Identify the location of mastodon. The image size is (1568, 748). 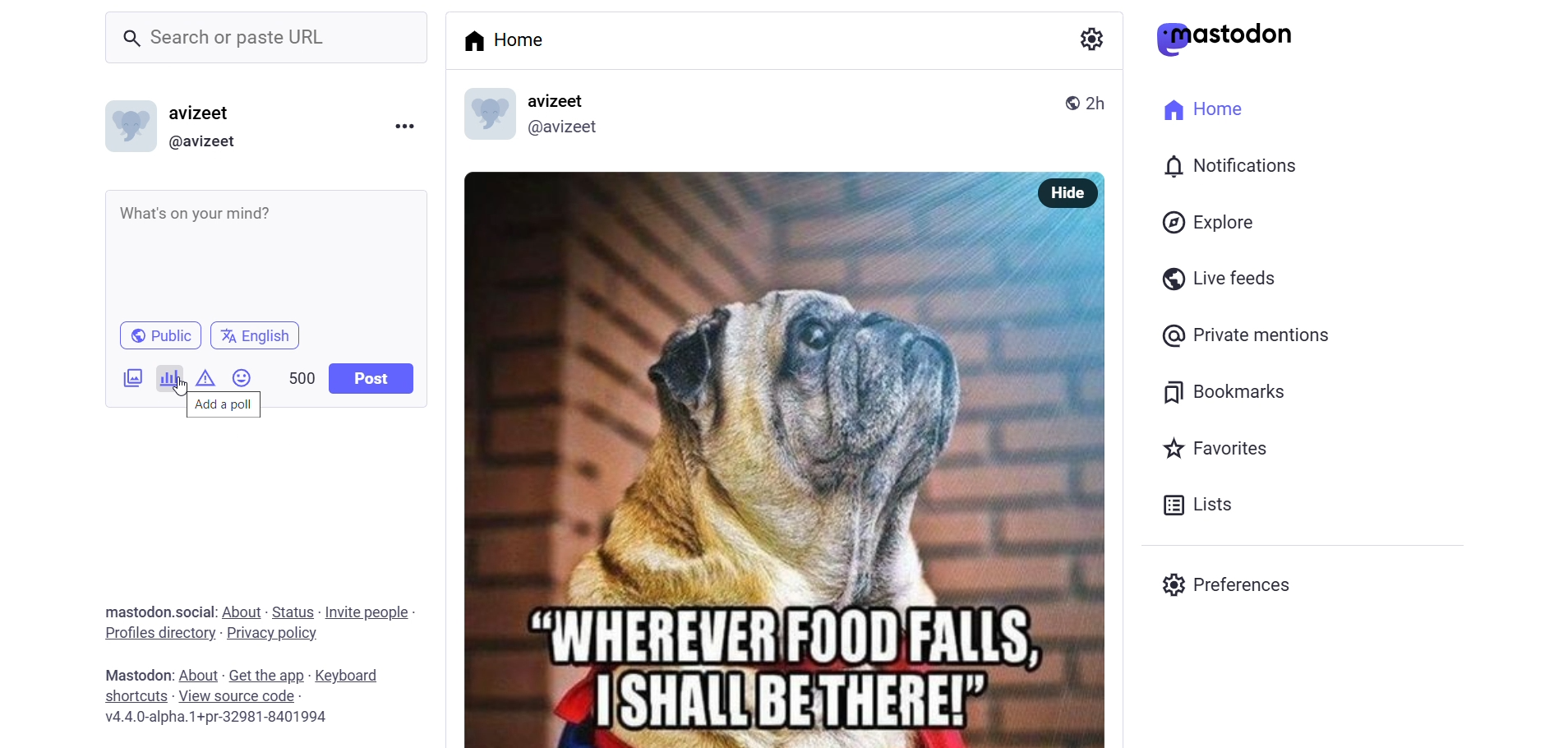
(133, 609).